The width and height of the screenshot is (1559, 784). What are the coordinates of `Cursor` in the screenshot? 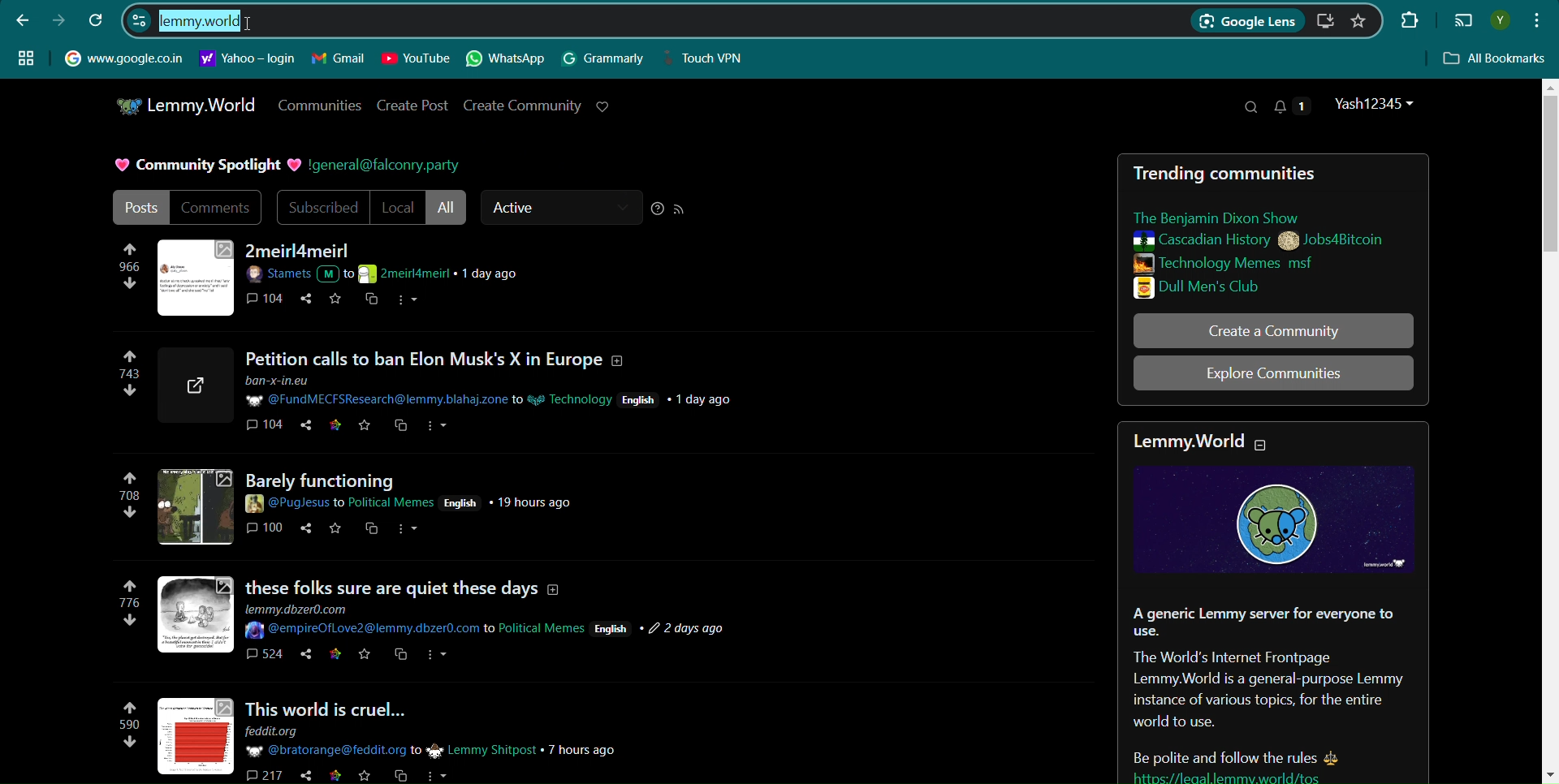 It's located at (257, 21).